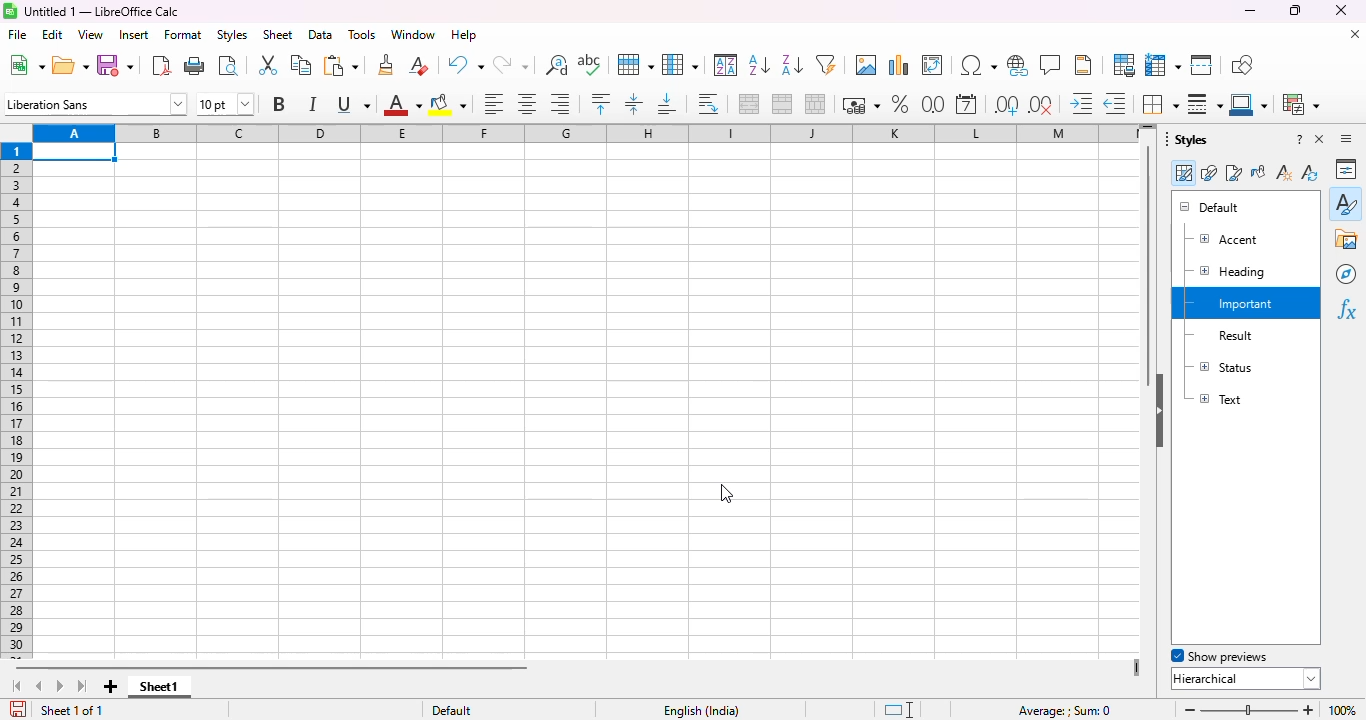 This screenshot has width=1366, height=720. Describe the element at coordinates (277, 104) in the screenshot. I see `bold` at that location.